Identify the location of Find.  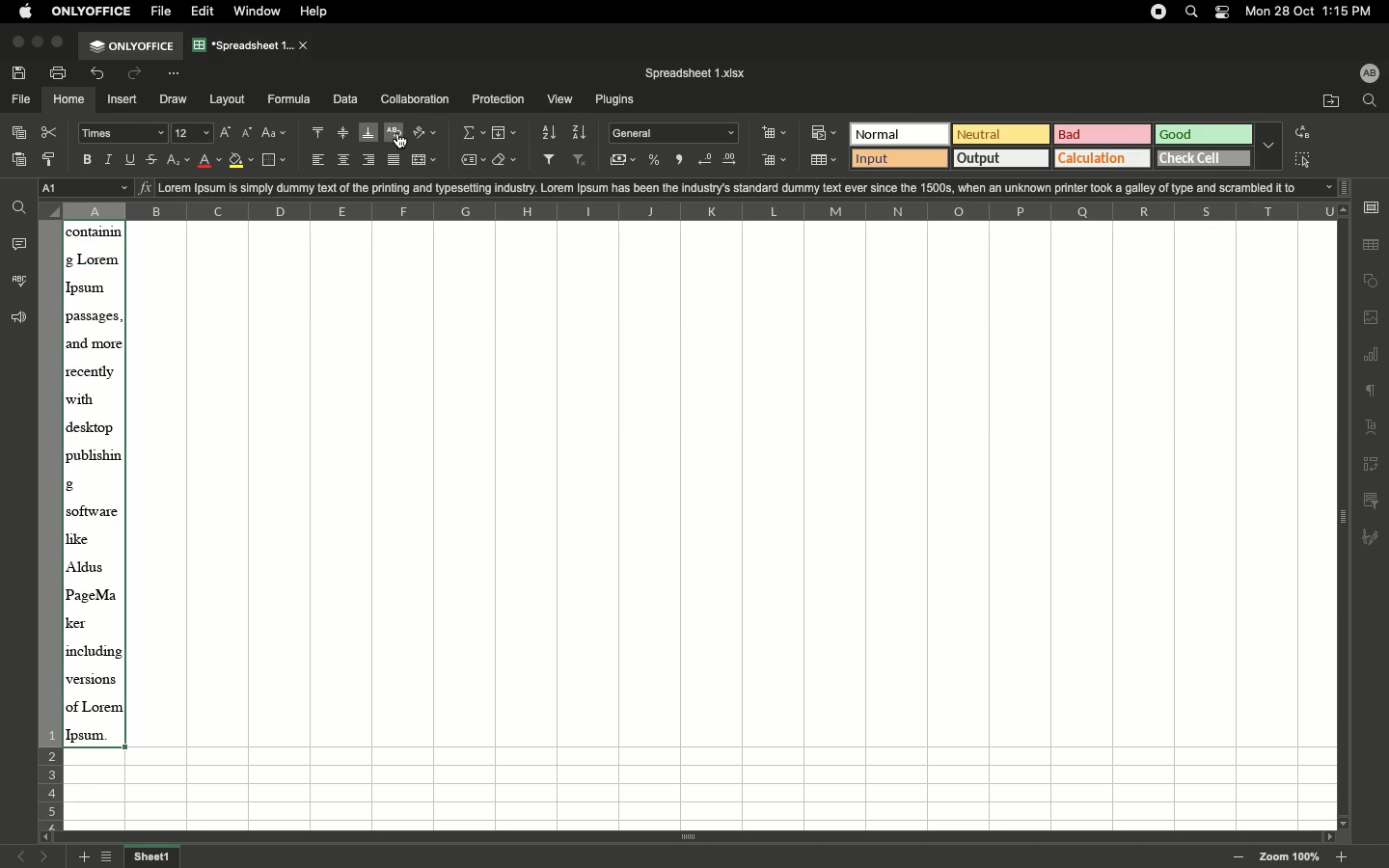
(21, 205).